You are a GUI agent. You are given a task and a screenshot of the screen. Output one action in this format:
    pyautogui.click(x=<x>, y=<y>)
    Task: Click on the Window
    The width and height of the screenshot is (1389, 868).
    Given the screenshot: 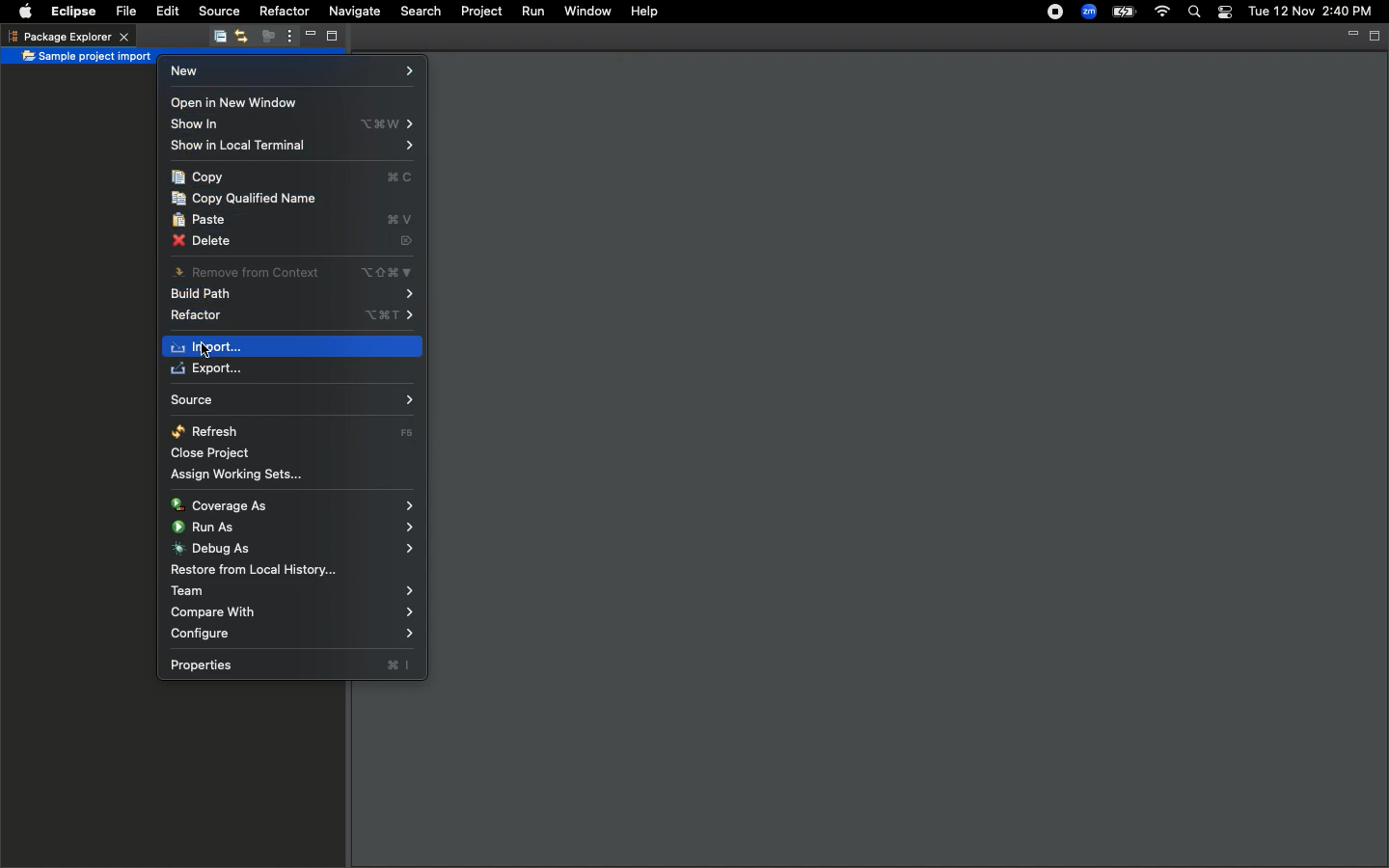 What is the action you would take?
    pyautogui.click(x=587, y=12)
    